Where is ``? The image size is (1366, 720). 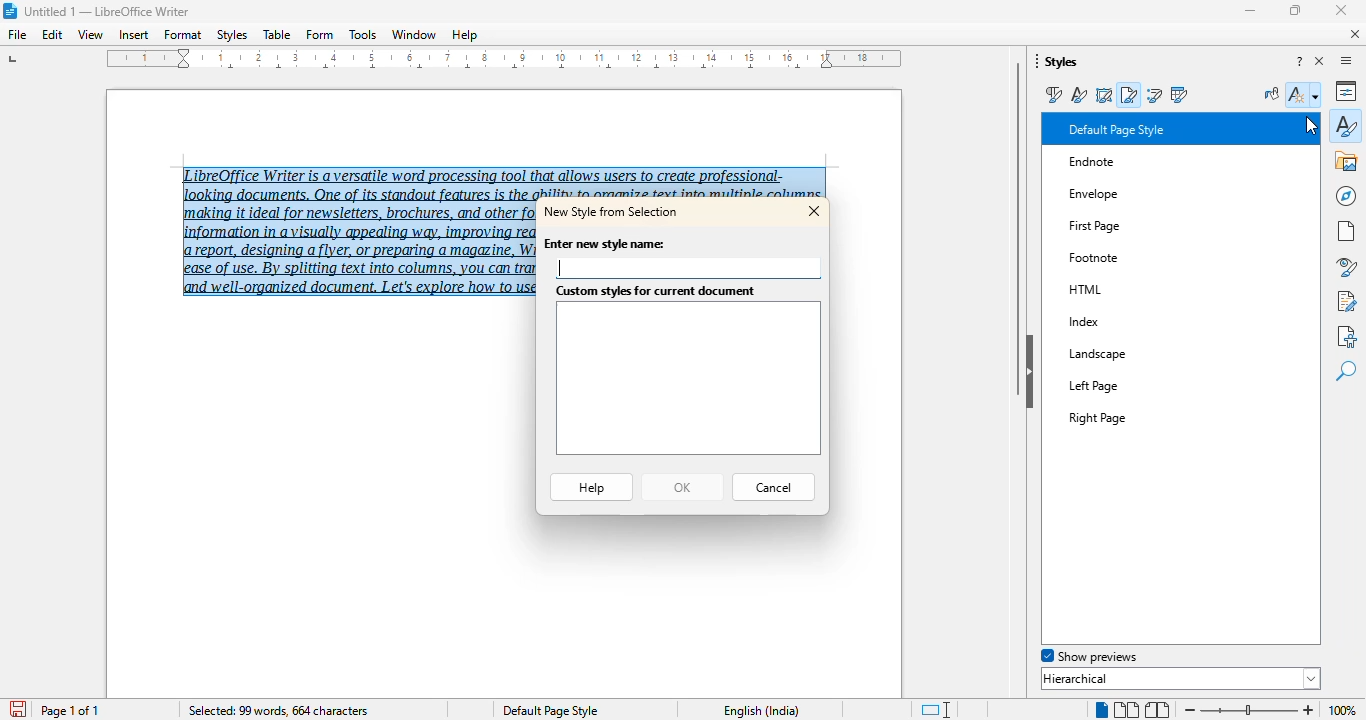  is located at coordinates (1092, 256).